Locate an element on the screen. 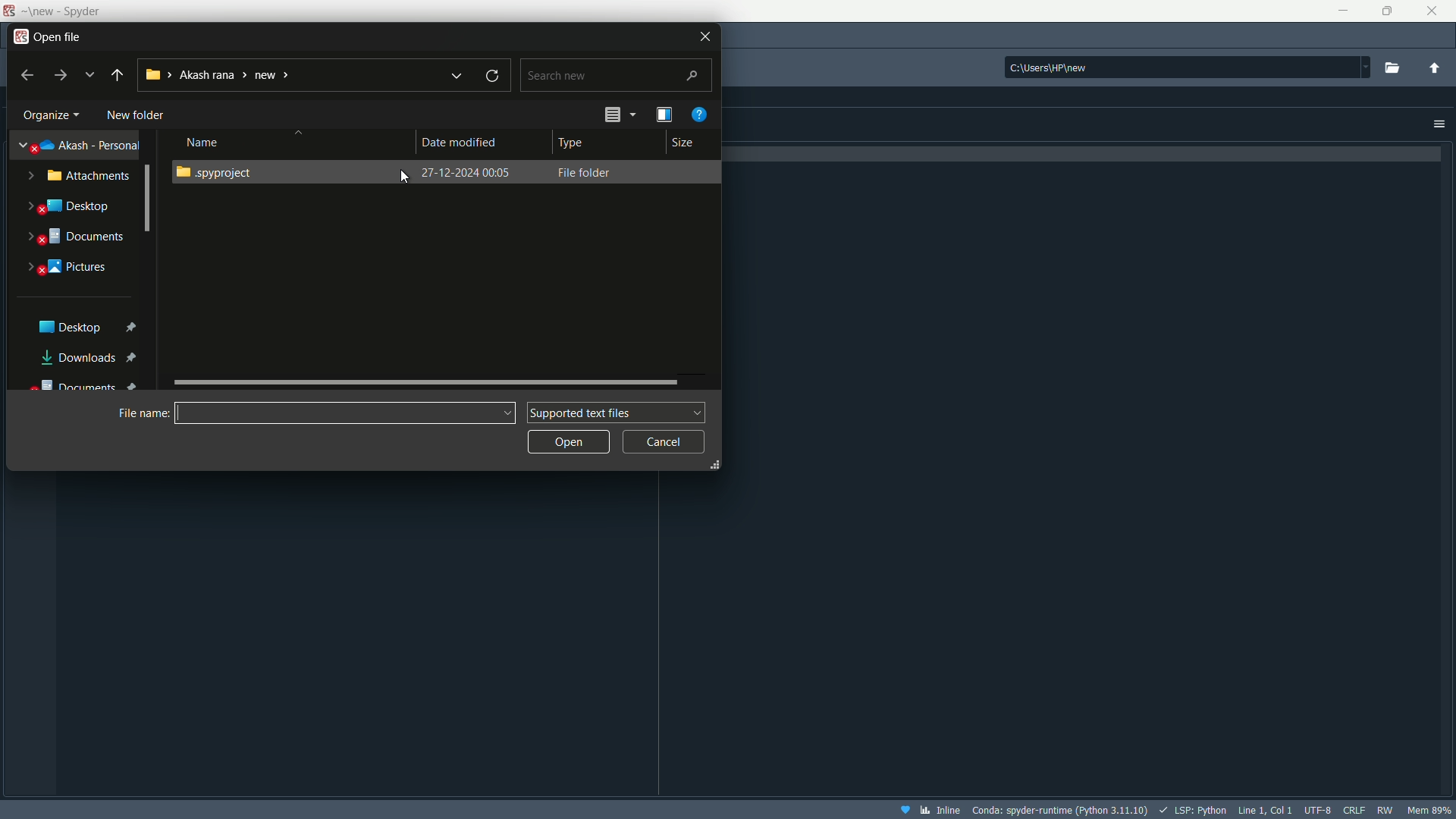  akash-personal is located at coordinates (74, 145).